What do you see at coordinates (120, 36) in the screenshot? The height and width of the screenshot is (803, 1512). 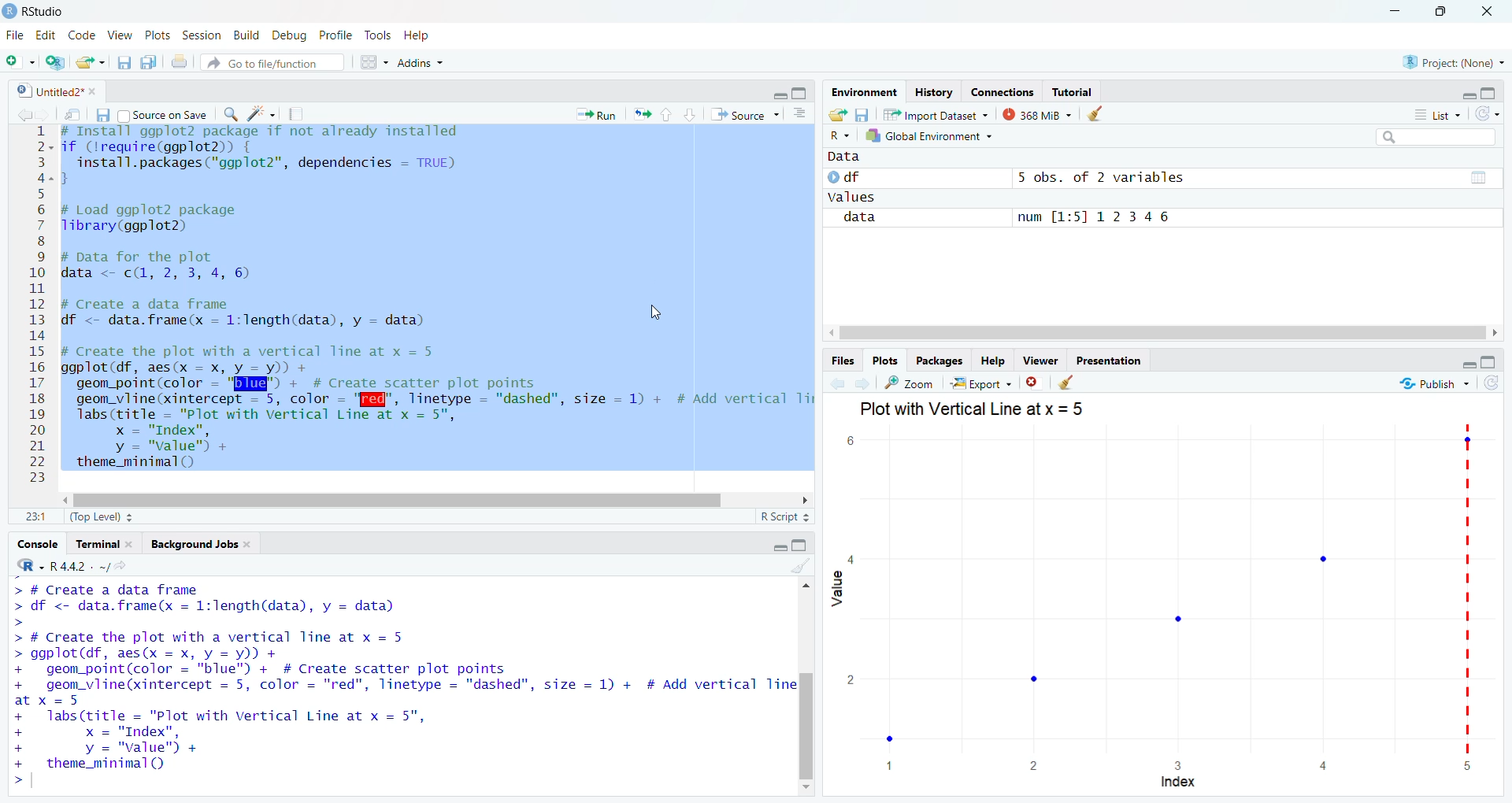 I see `2 View` at bounding box center [120, 36].